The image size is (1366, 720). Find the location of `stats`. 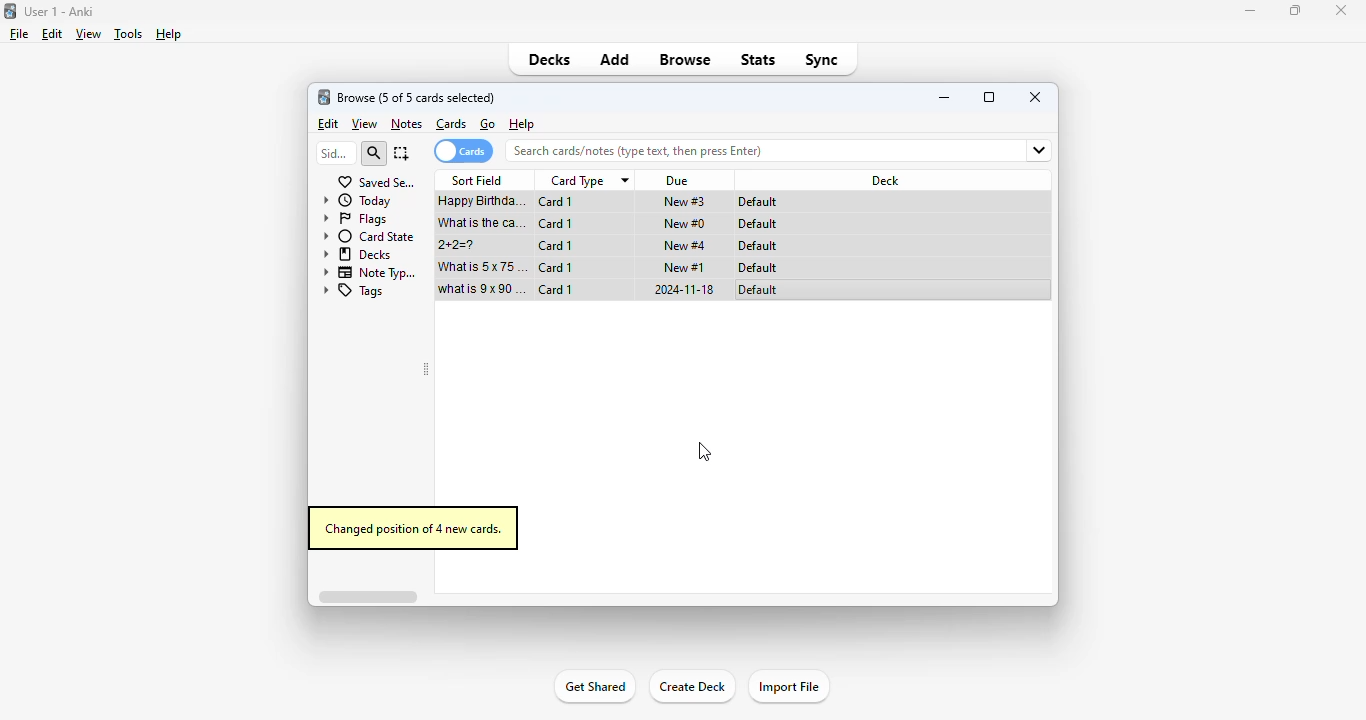

stats is located at coordinates (759, 59).